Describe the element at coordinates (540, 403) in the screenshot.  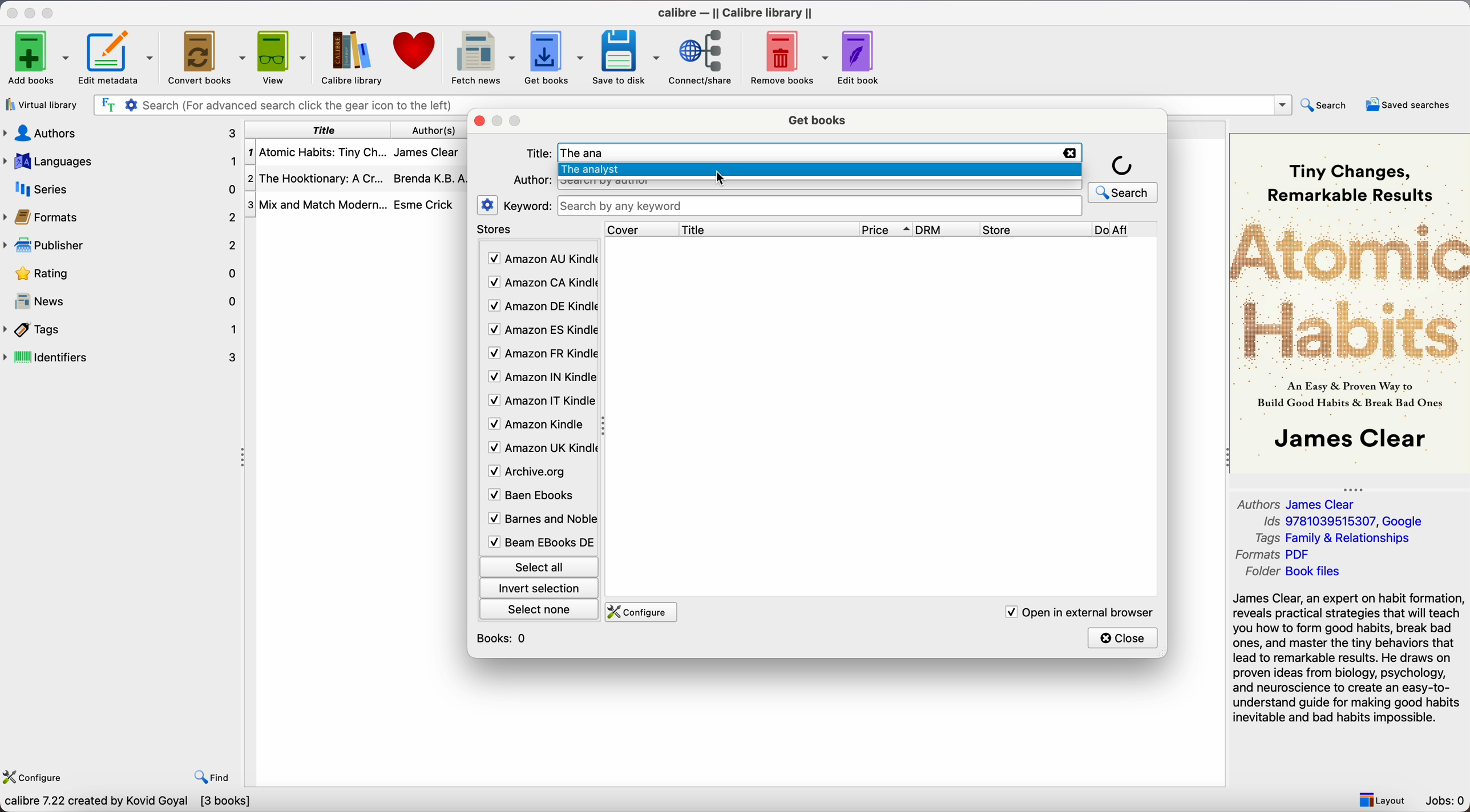
I see `Amazon IT Kindle` at that location.